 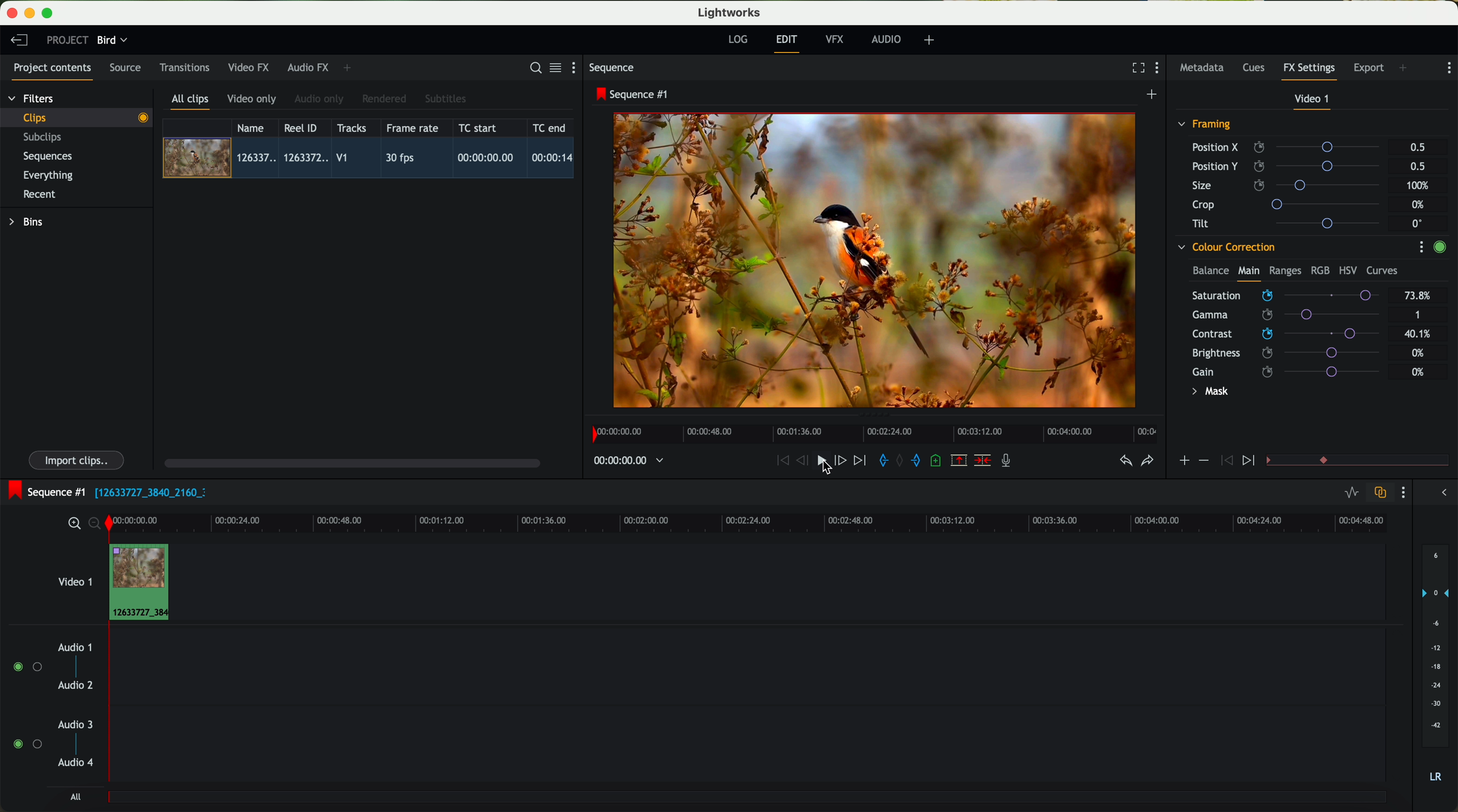 I want to click on position Y, so click(x=1290, y=166).